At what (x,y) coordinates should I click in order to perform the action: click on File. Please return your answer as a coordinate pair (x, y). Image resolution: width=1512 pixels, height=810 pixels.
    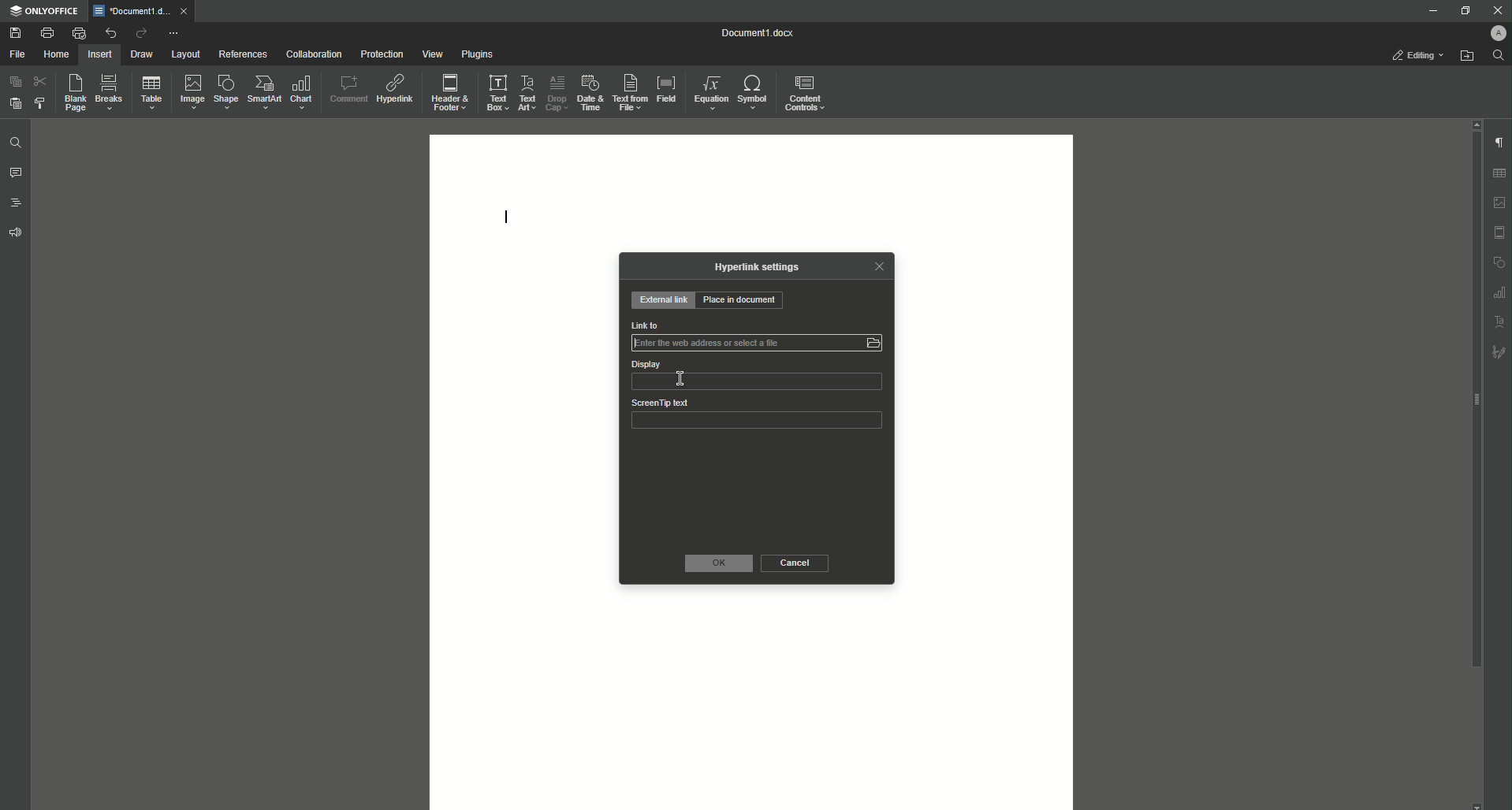
    Looking at the image, I should click on (17, 54).